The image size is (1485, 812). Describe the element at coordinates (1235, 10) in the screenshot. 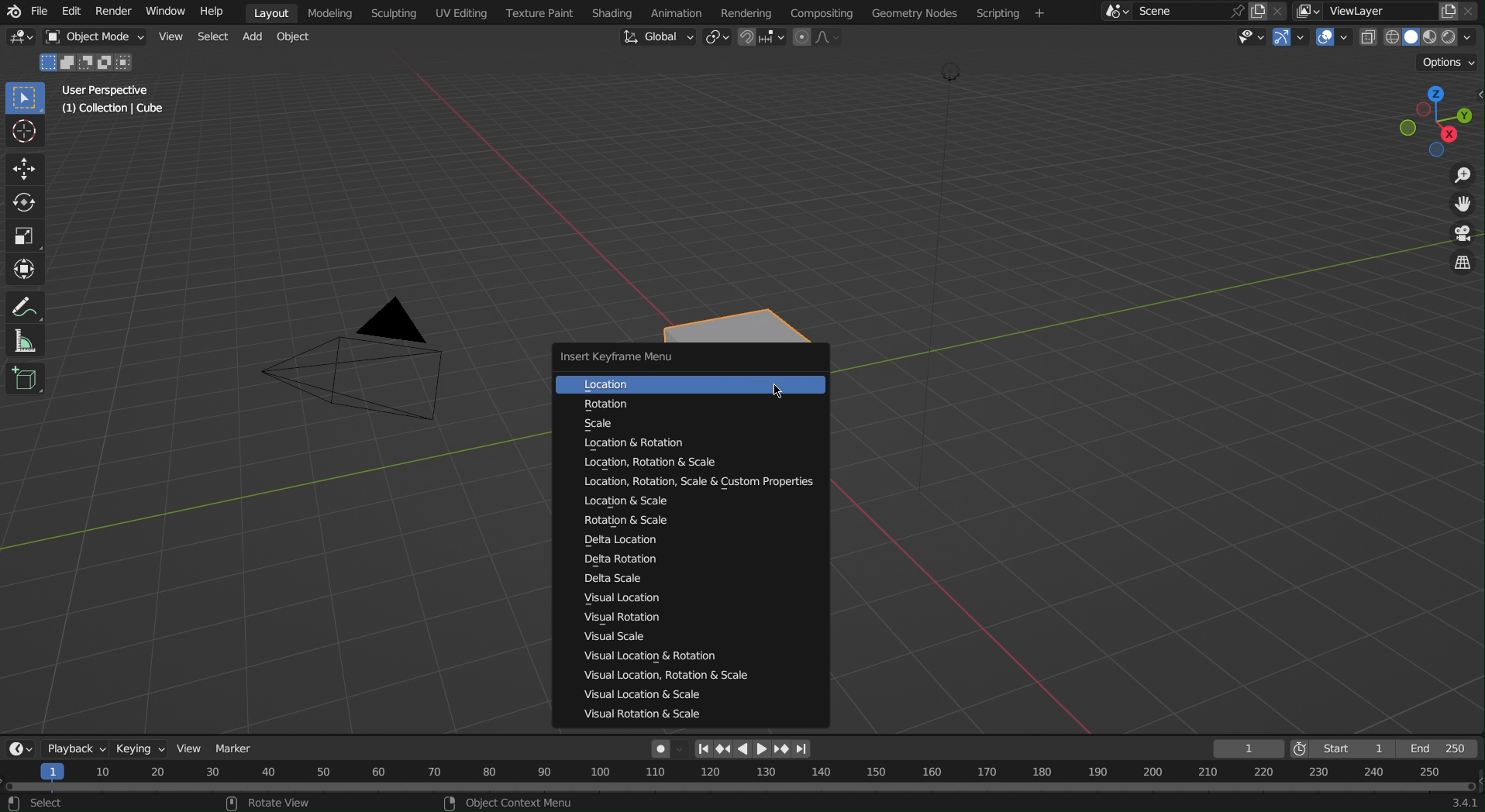

I see `pin` at that location.